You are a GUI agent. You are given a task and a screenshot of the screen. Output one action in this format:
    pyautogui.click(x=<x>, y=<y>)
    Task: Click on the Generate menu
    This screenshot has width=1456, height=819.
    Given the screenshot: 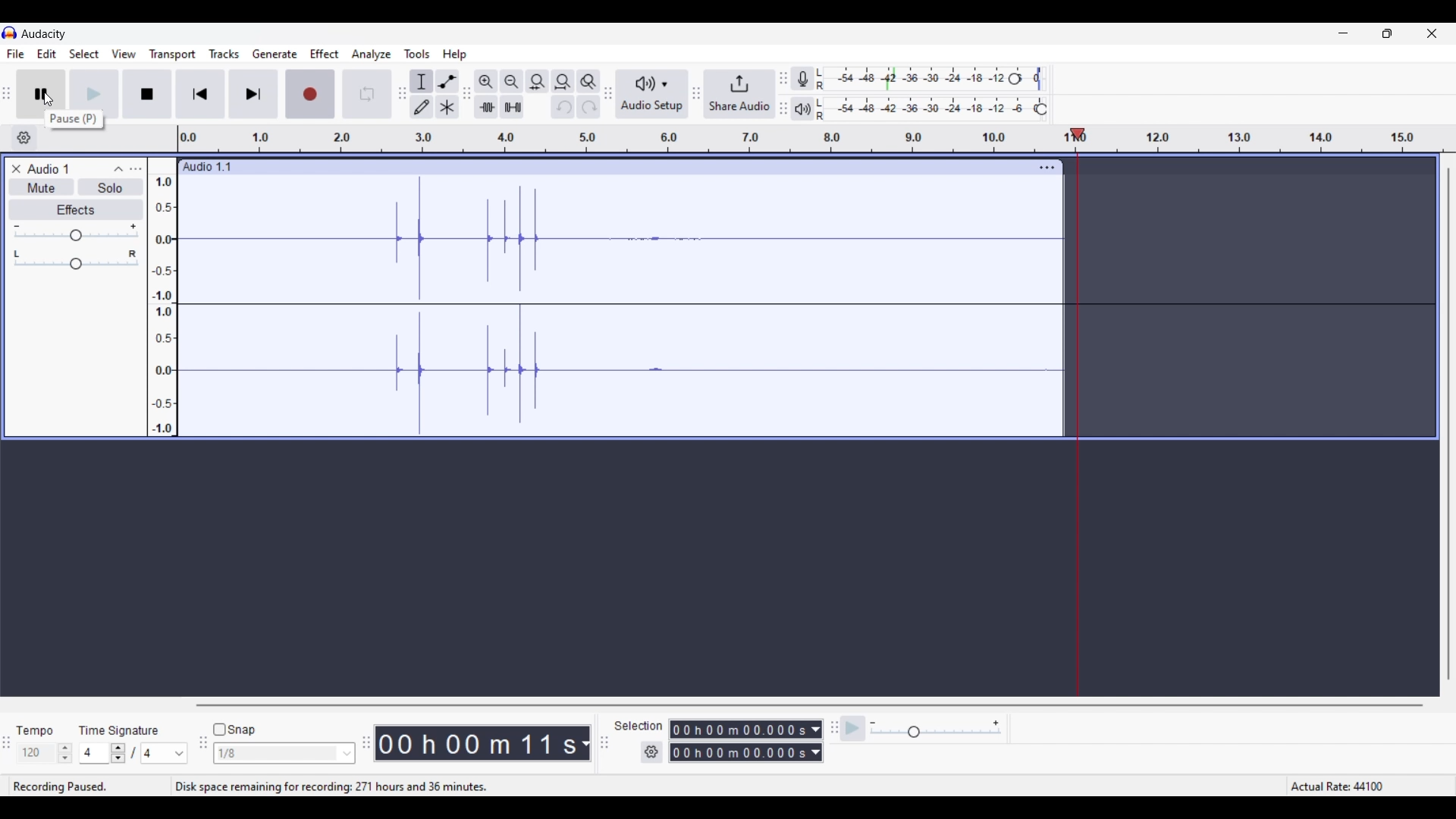 What is the action you would take?
    pyautogui.click(x=275, y=54)
    